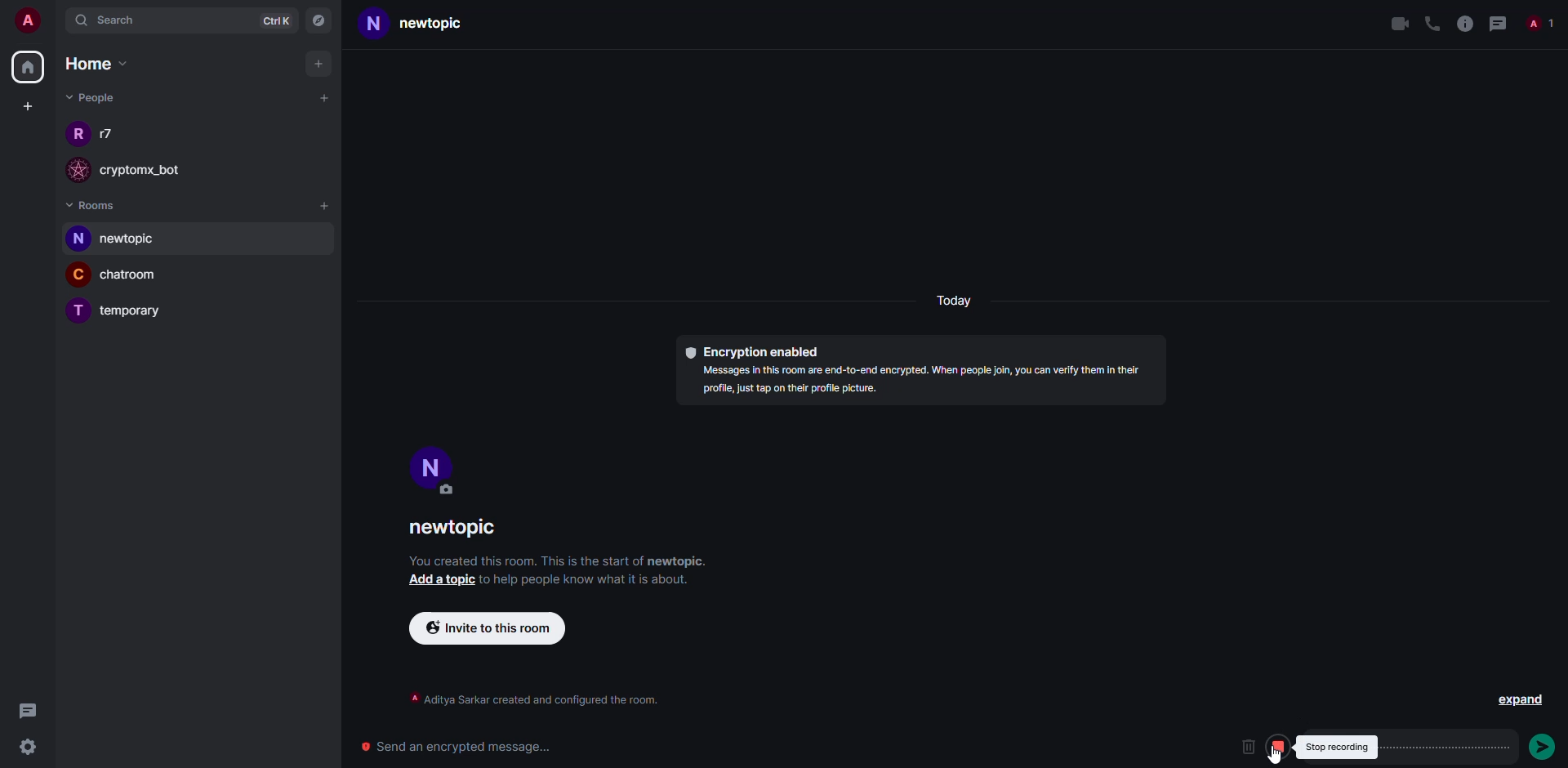  Describe the element at coordinates (24, 69) in the screenshot. I see `home` at that location.